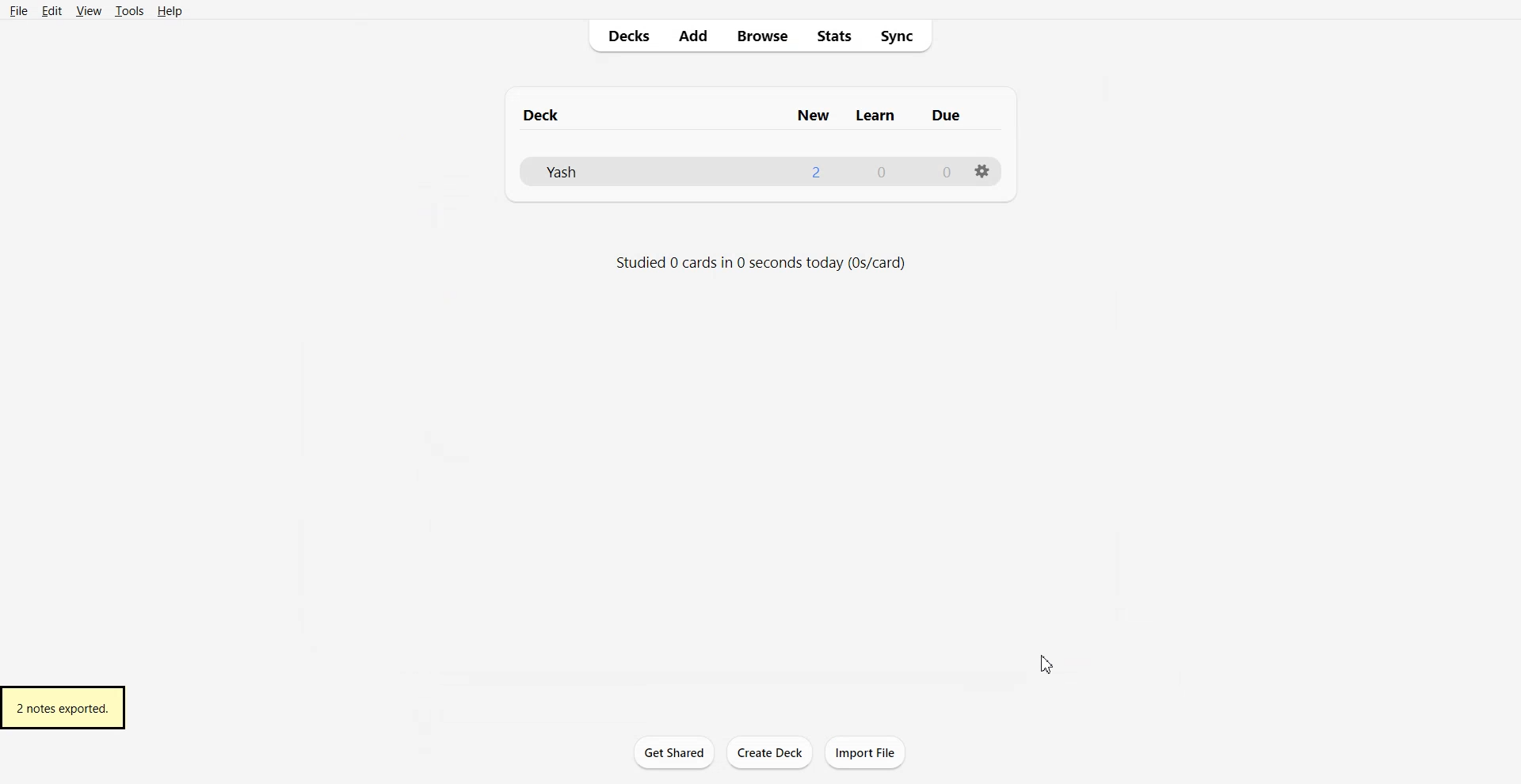 The height and width of the screenshot is (784, 1521). Describe the element at coordinates (88, 10) in the screenshot. I see `View` at that location.